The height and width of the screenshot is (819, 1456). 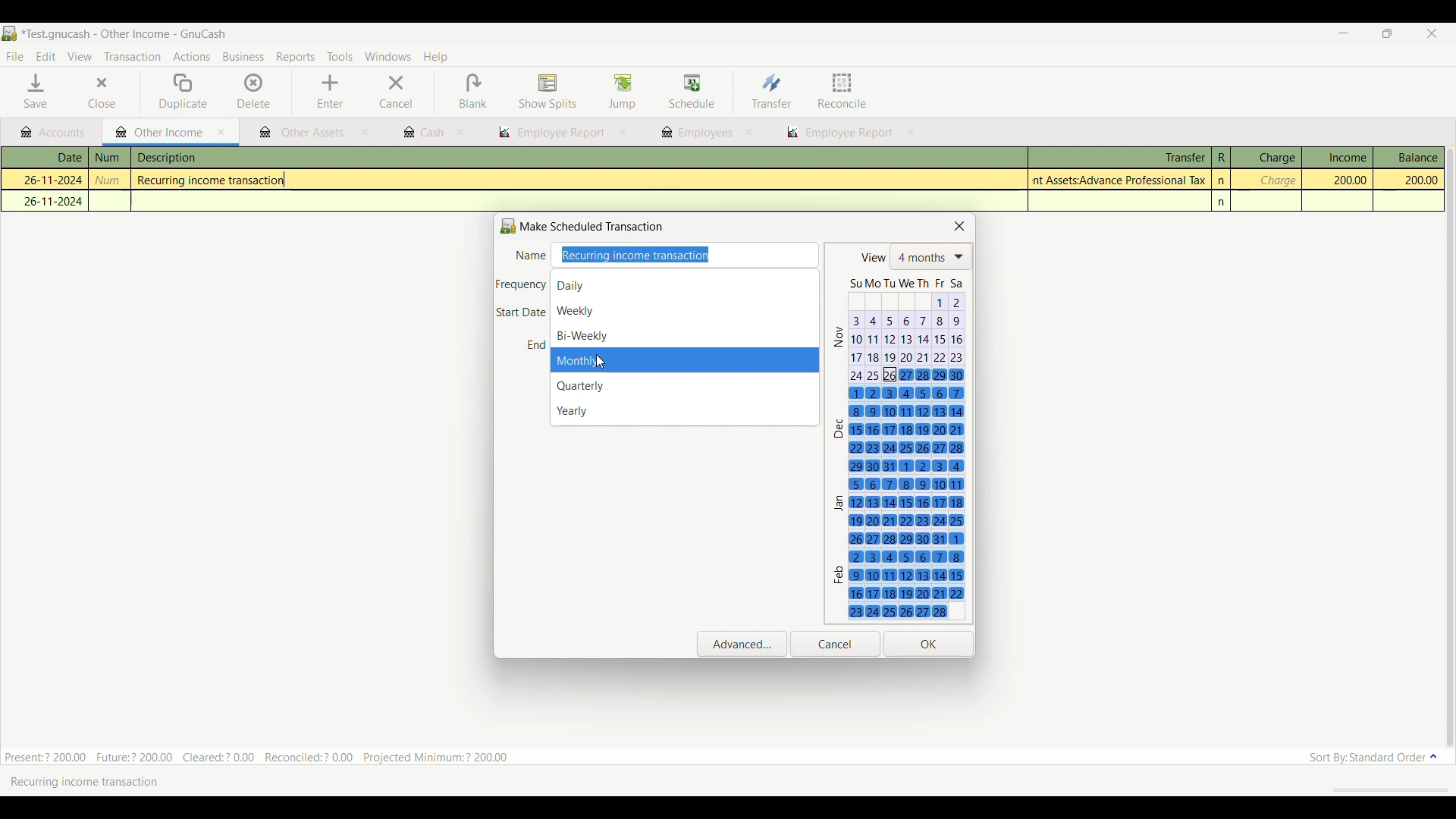 I want to click on Daily, so click(x=684, y=289).